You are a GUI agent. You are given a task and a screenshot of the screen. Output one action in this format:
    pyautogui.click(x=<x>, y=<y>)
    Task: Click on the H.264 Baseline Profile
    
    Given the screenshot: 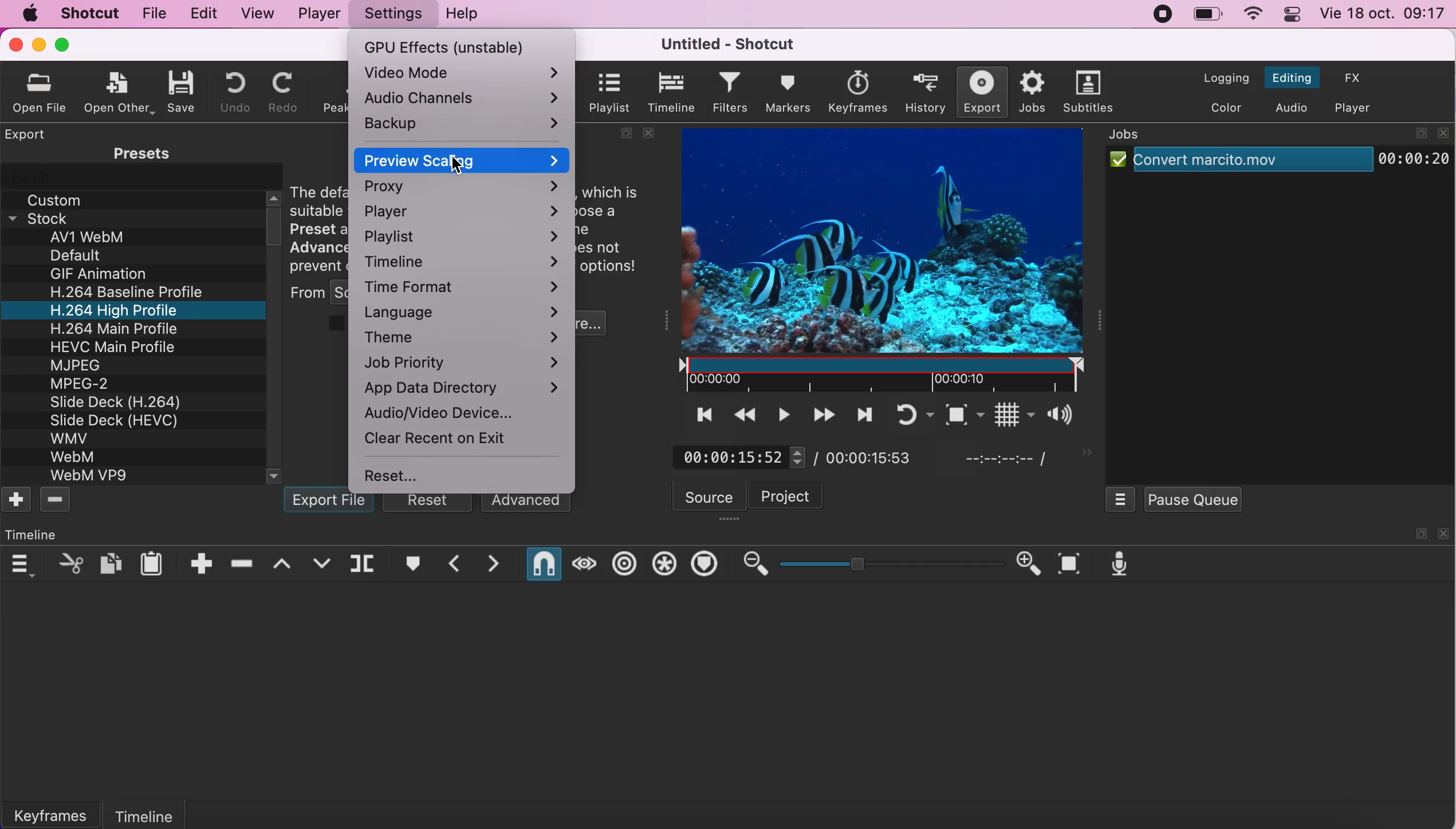 What is the action you would take?
    pyautogui.click(x=132, y=290)
    